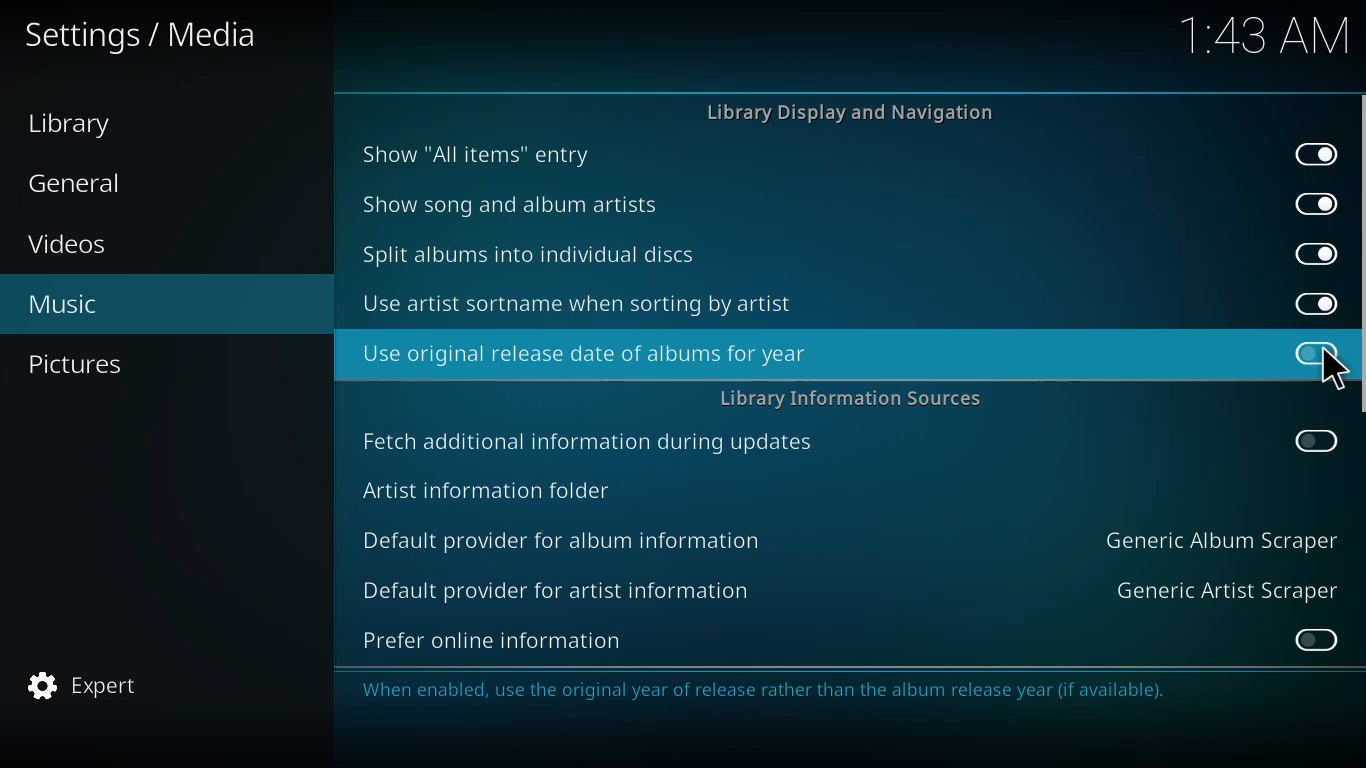 The image size is (1366, 768). I want to click on enabled, so click(1316, 152).